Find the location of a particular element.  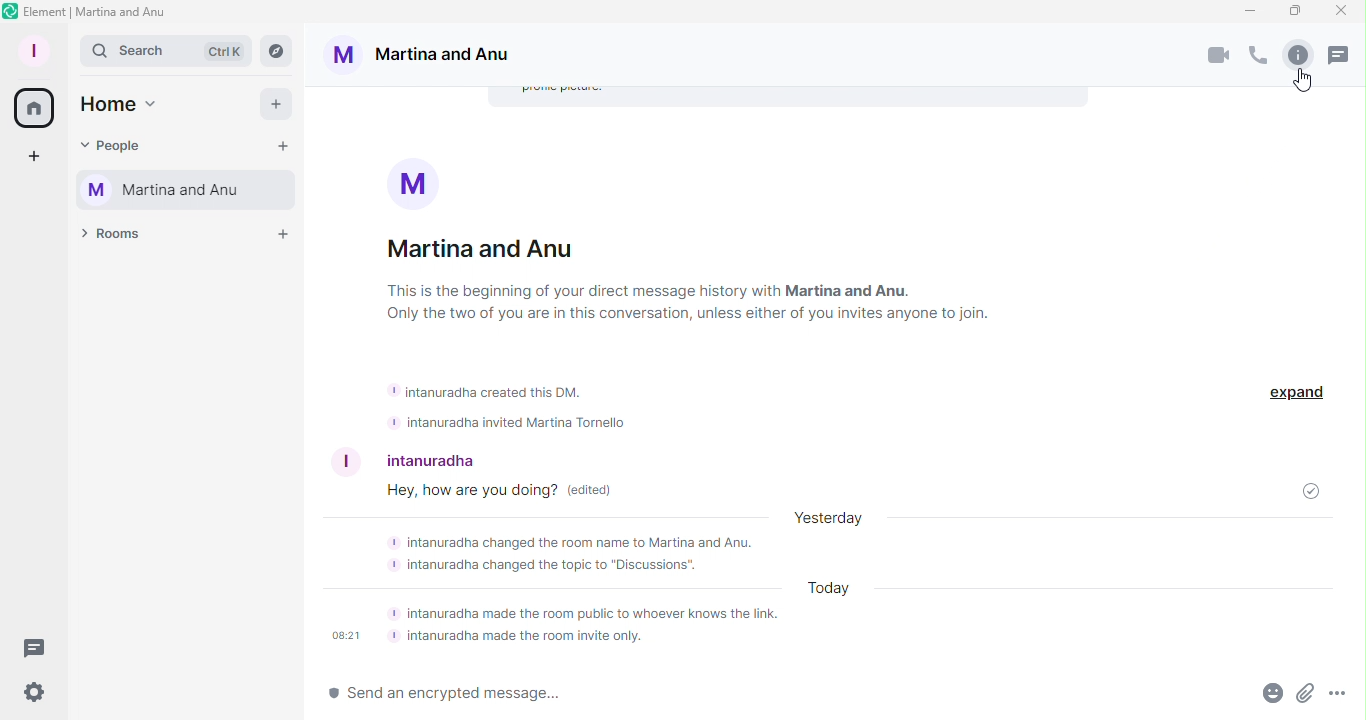

Quick settings is located at coordinates (33, 698).